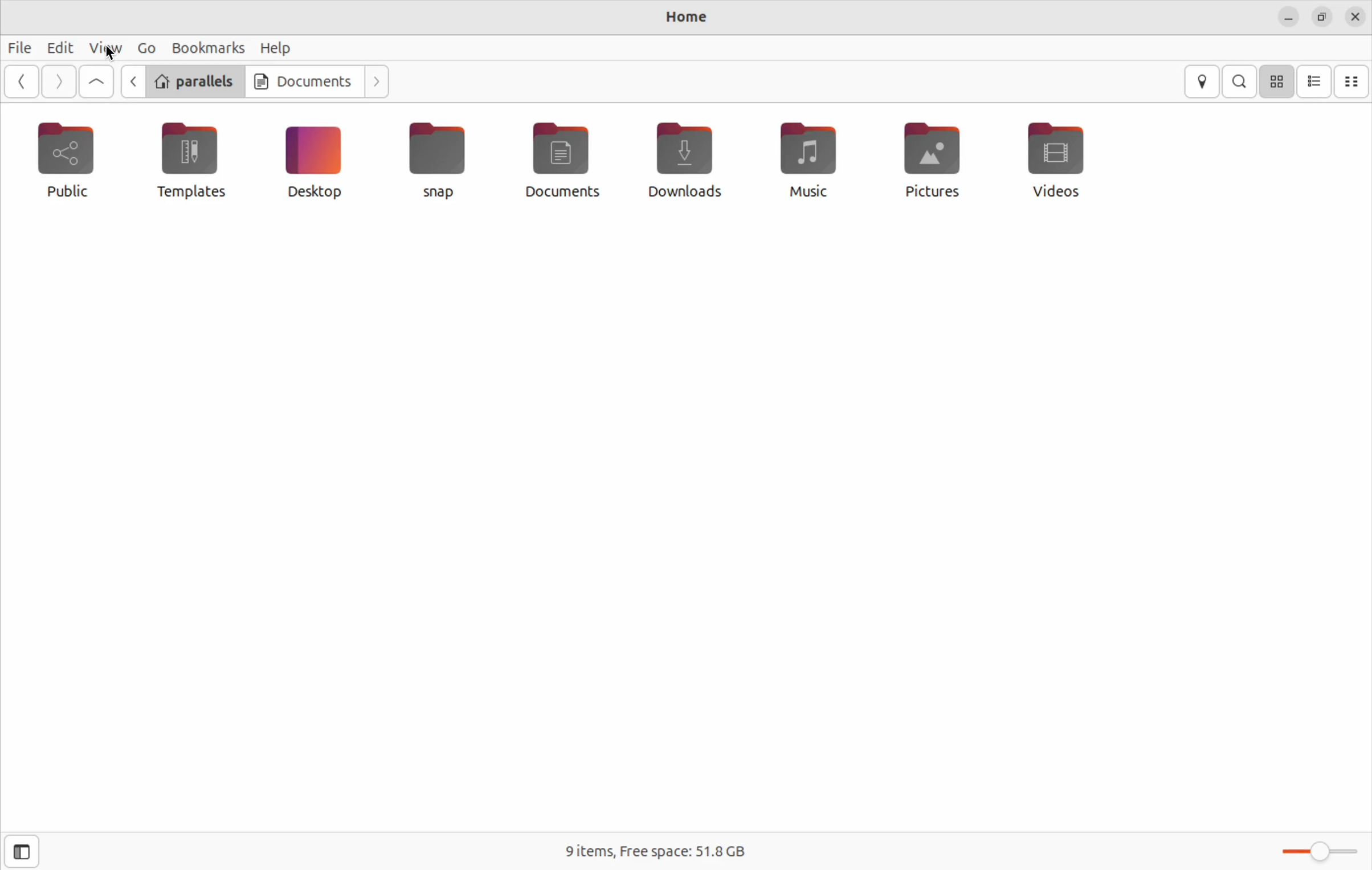 This screenshot has width=1372, height=870. Describe the element at coordinates (59, 48) in the screenshot. I see `Edit` at that location.